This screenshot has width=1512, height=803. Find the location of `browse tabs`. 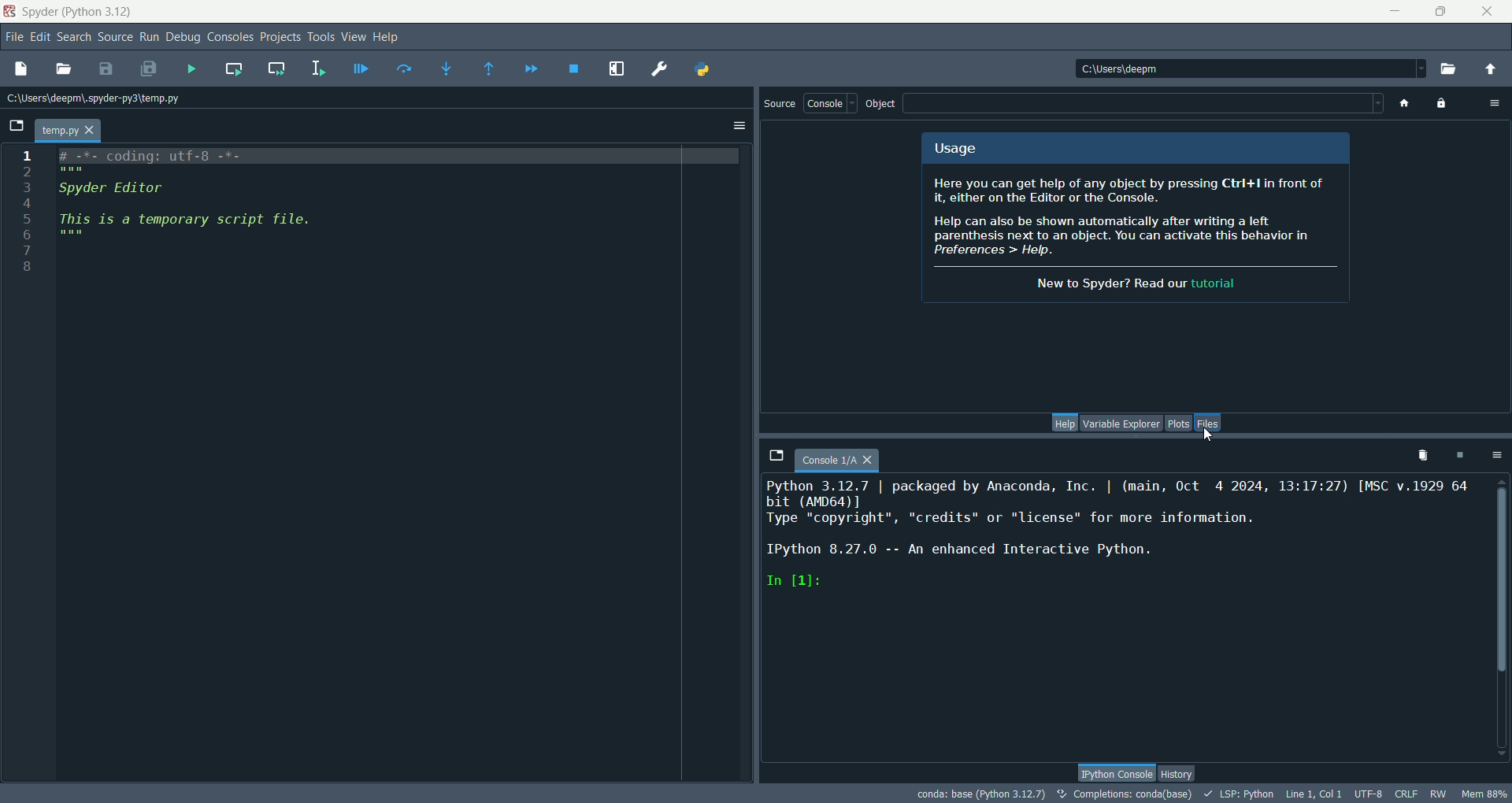

browse tabs is located at coordinates (773, 453).